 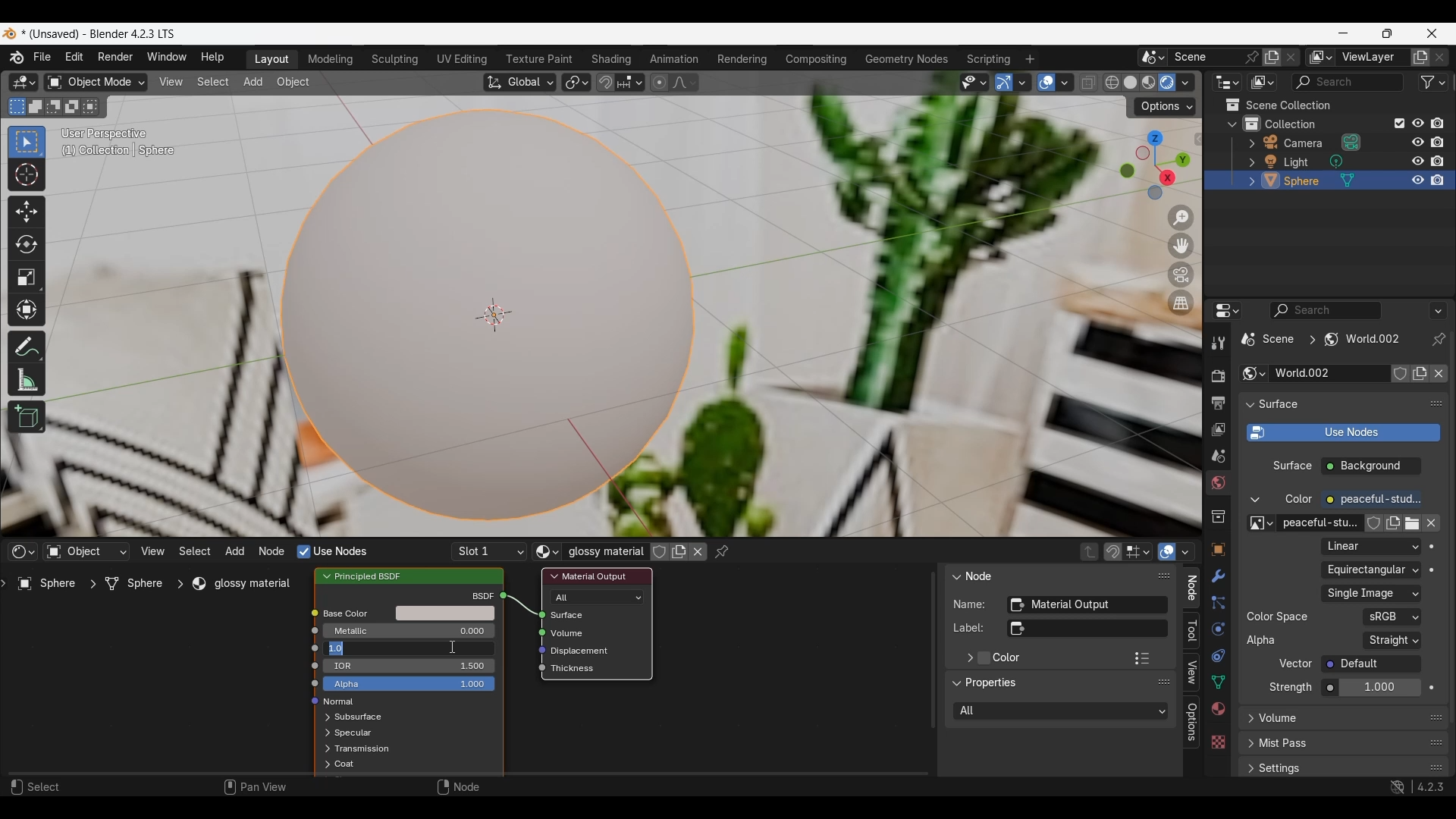 I want to click on Add new world, so click(x=1420, y=373).